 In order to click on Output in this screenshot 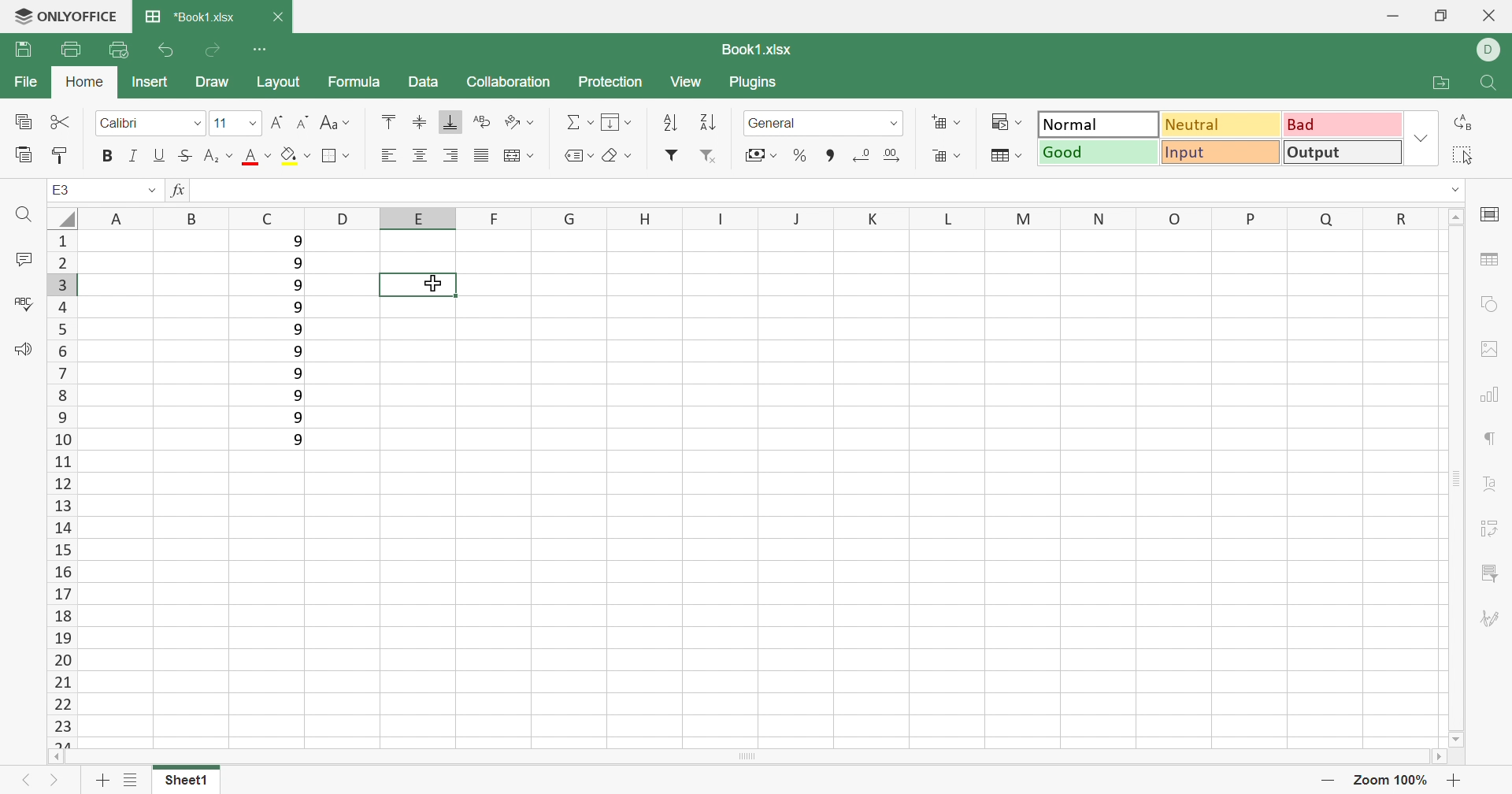, I will do `click(1099, 124)`.